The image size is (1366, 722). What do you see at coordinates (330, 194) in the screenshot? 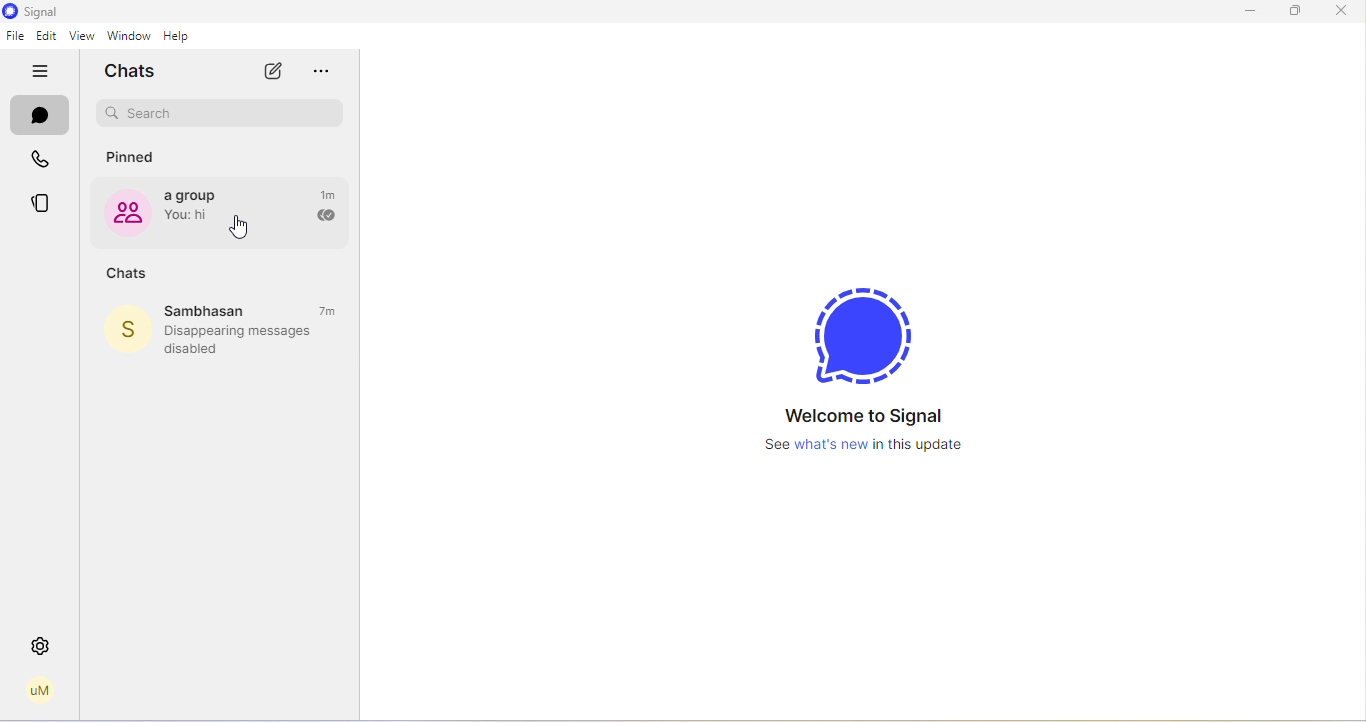
I see `1m` at bounding box center [330, 194].